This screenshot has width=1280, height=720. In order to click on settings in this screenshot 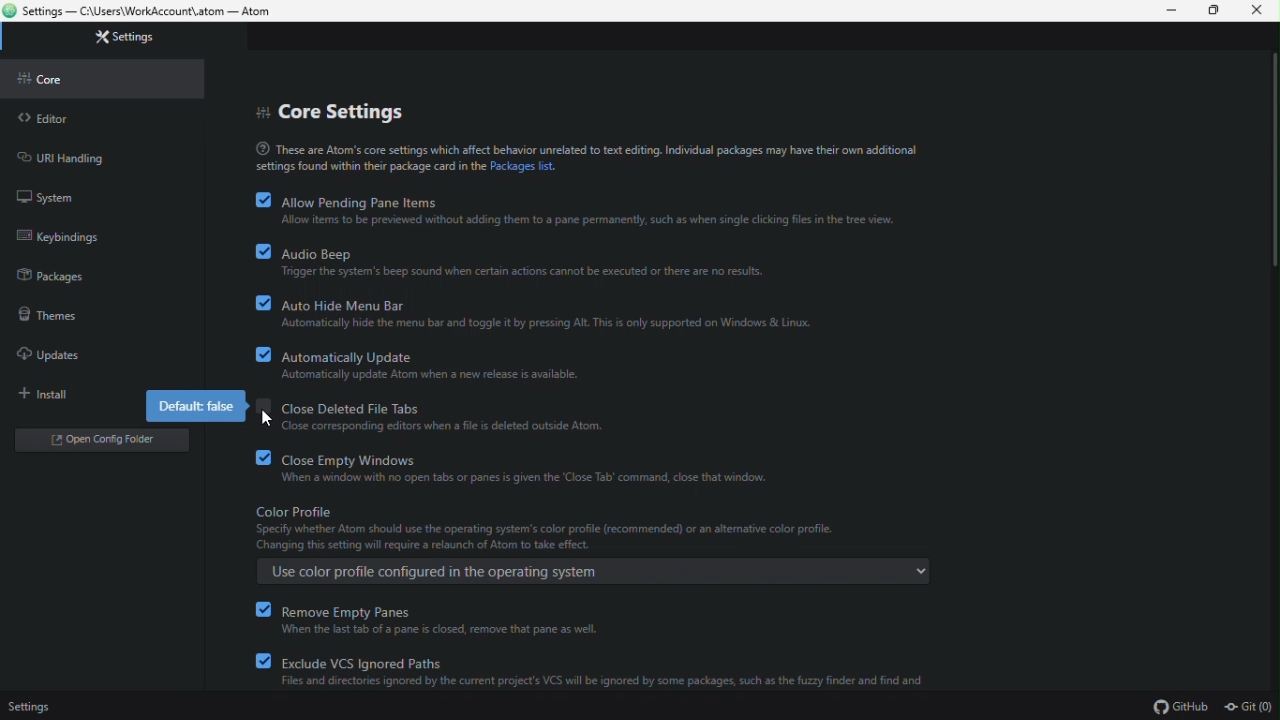, I will do `click(124, 38)`.